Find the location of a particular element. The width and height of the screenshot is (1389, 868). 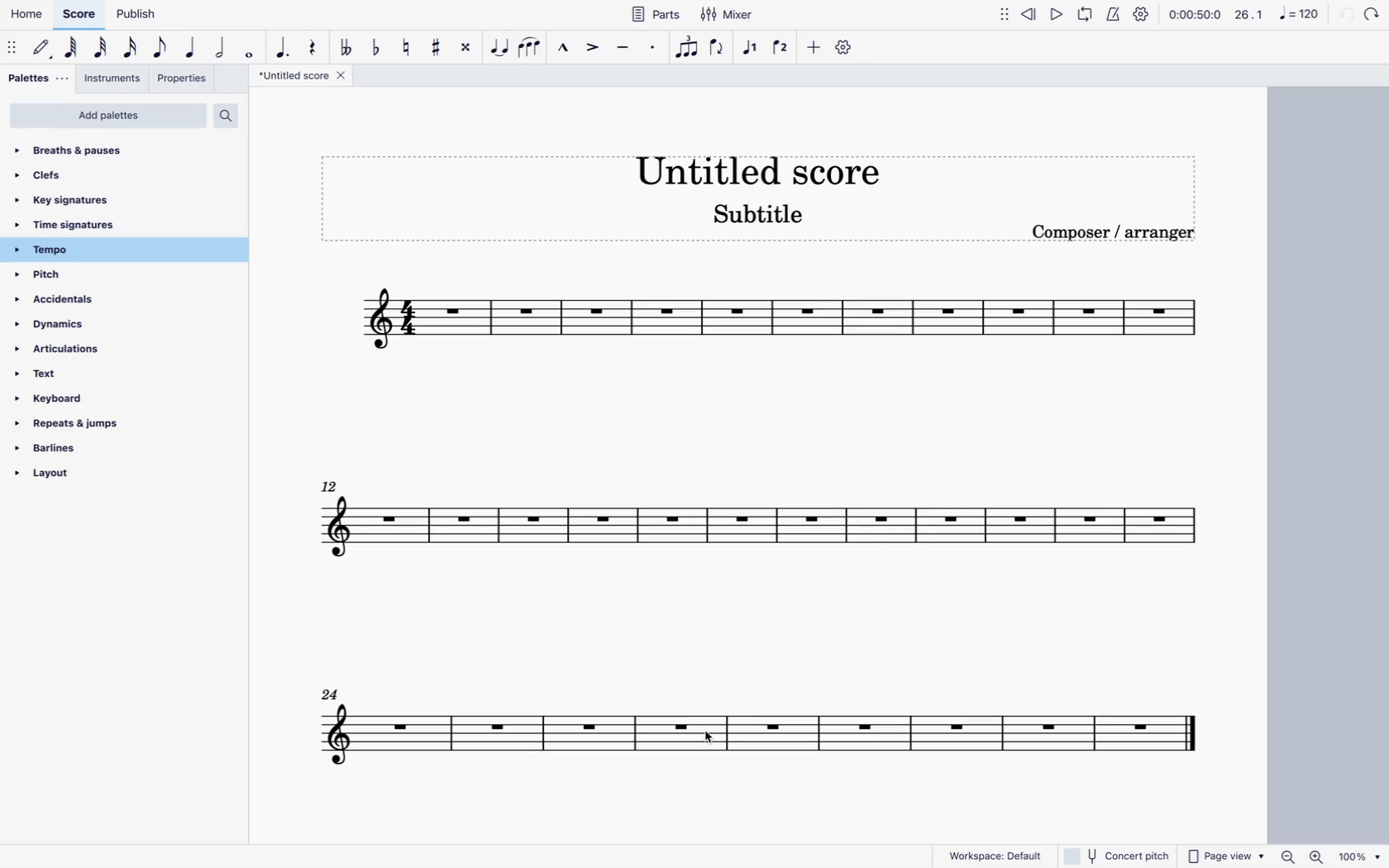

articulations is located at coordinates (79, 350).